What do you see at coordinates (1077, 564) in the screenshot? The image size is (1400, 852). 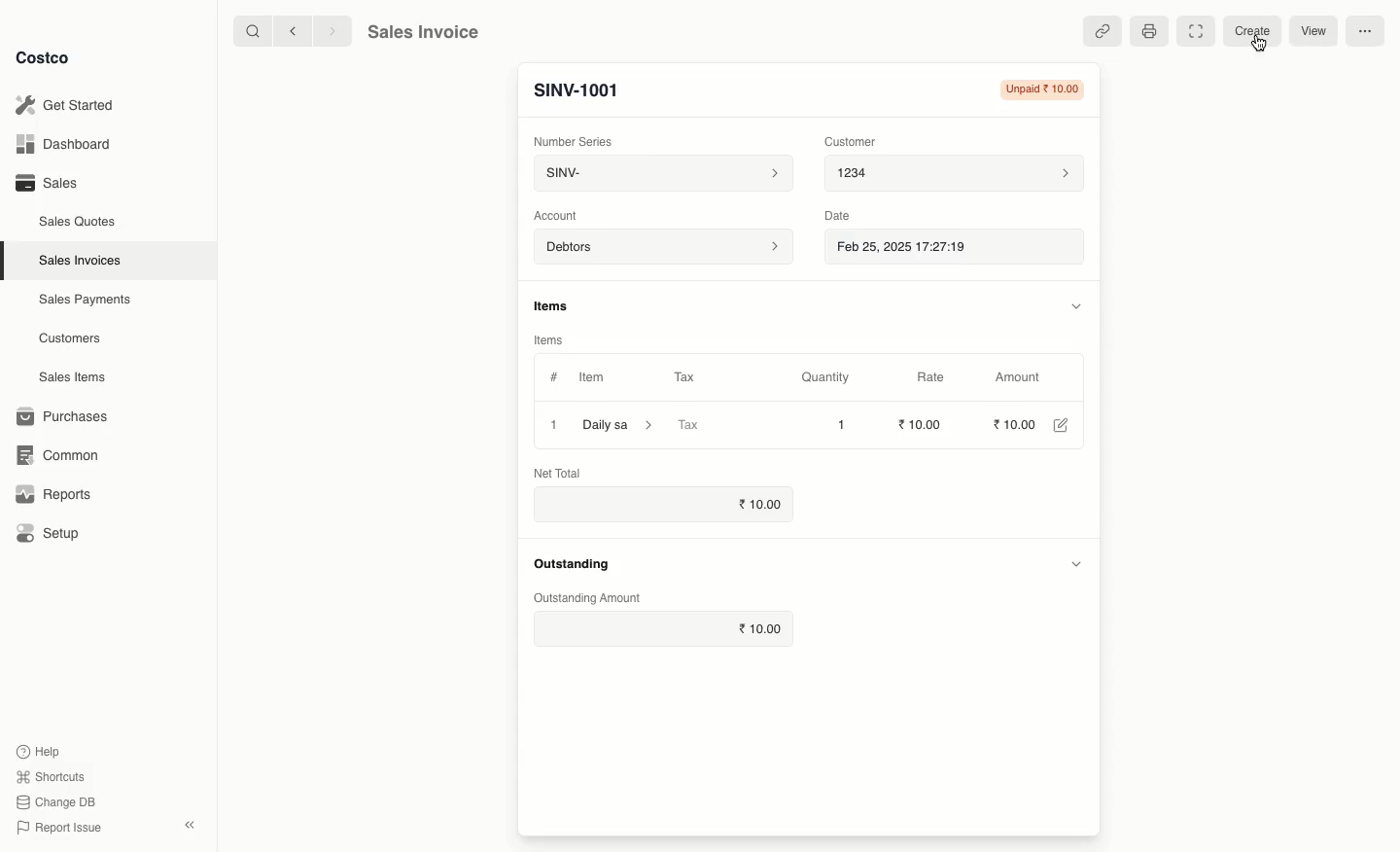 I see `Hide` at bounding box center [1077, 564].